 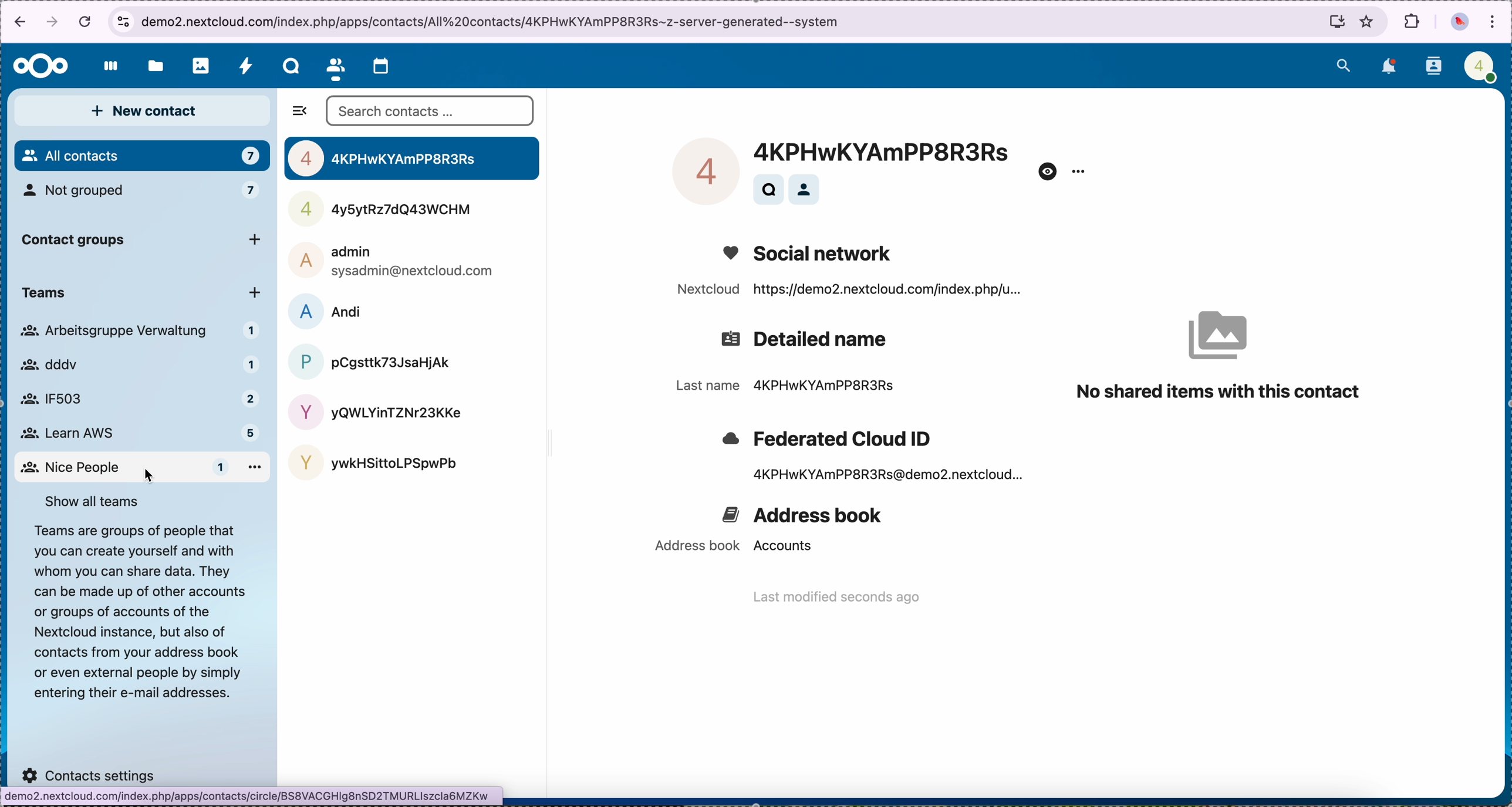 What do you see at coordinates (393, 260) in the screenshot?
I see `admin` at bounding box center [393, 260].